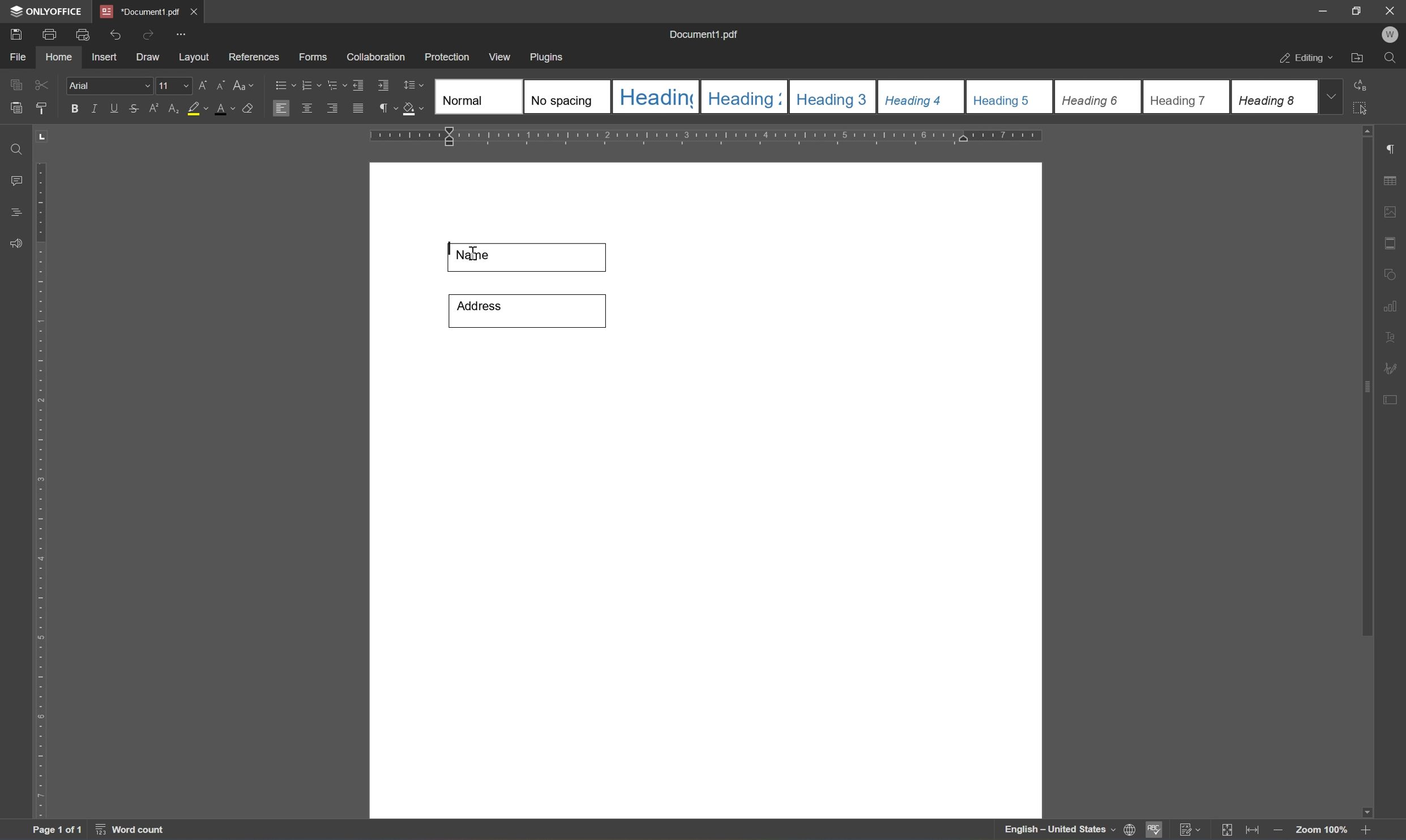  What do you see at coordinates (384, 85) in the screenshot?
I see `increase indent` at bounding box center [384, 85].